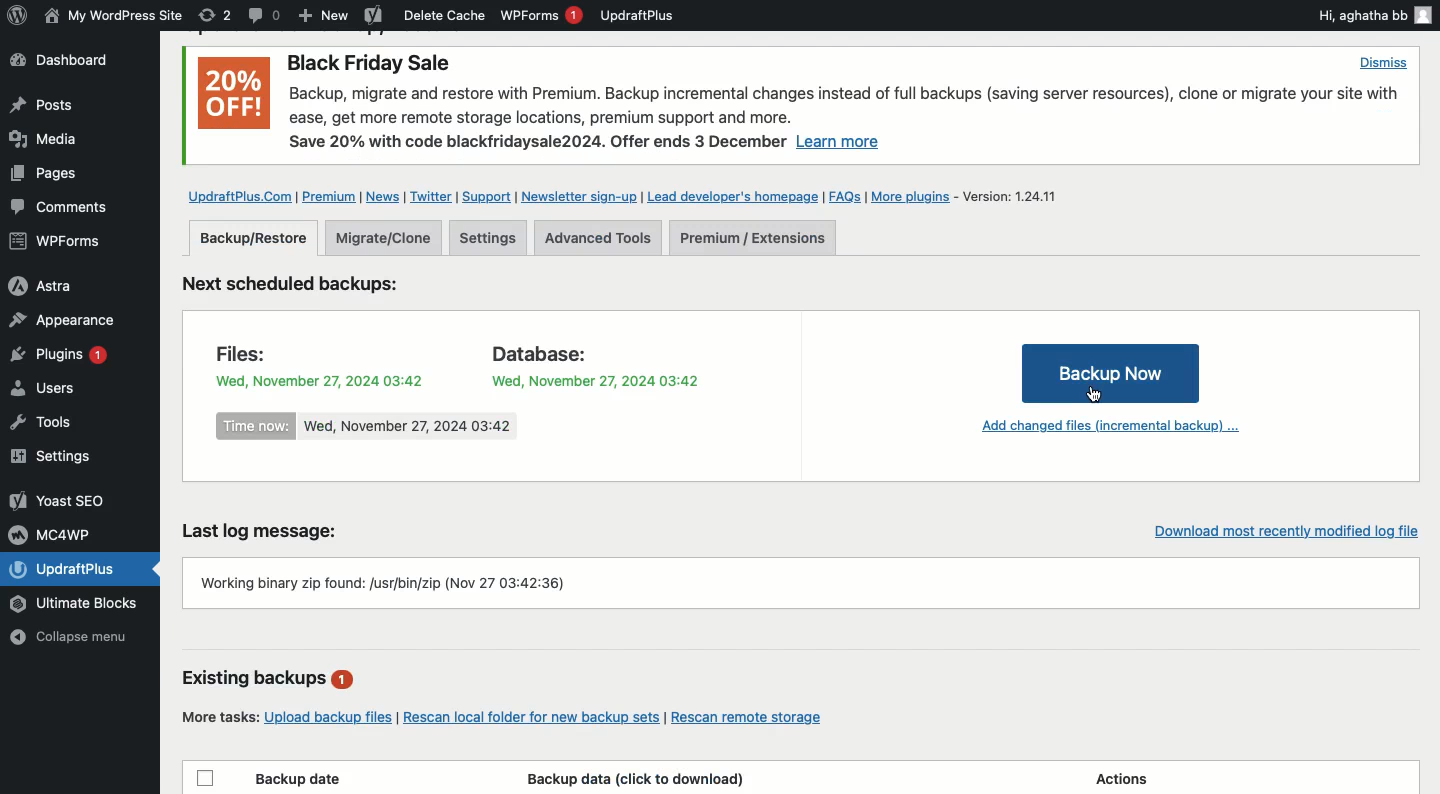 The height and width of the screenshot is (794, 1440). What do you see at coordinates (40, 105) in the screenshot?
I see `Posts` at bounding box center [40, 105].